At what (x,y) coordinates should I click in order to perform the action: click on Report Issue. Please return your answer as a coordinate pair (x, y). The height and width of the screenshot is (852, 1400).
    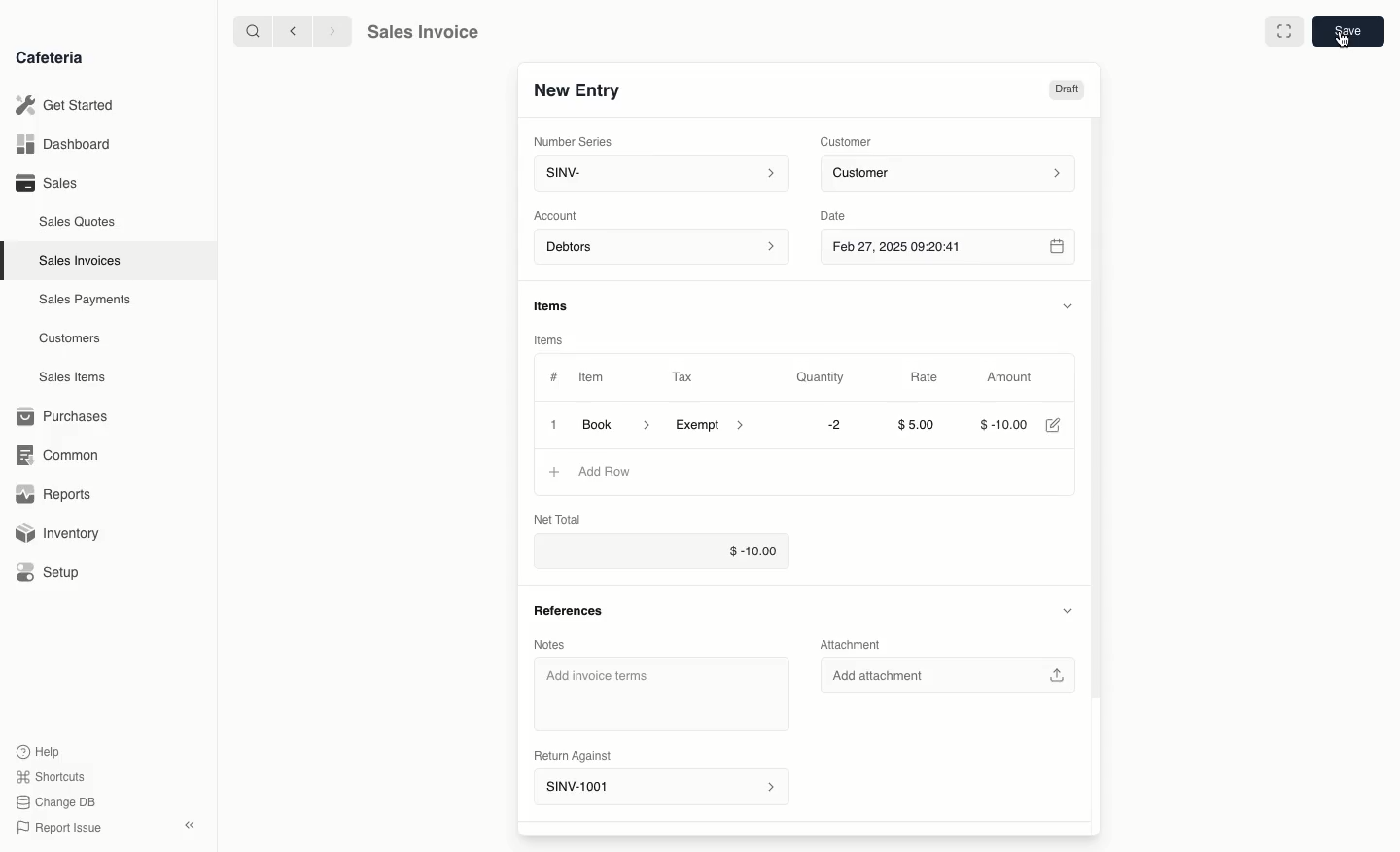
    Looking at the image, I should click on (63, 826).